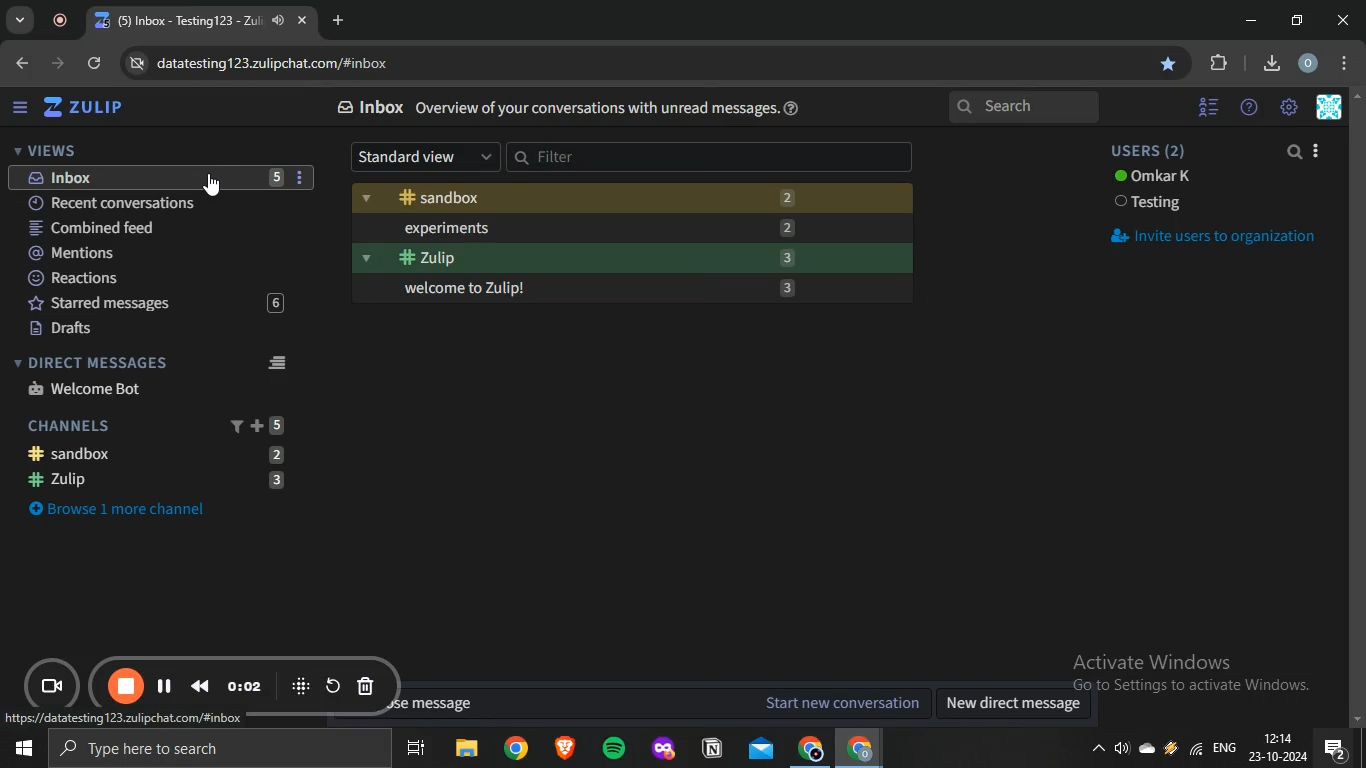 The width and height of the screenshot is (1366, 768). Describe the element at coordinates (1299, 20) in the screenshot. I see `restore window` at that location.